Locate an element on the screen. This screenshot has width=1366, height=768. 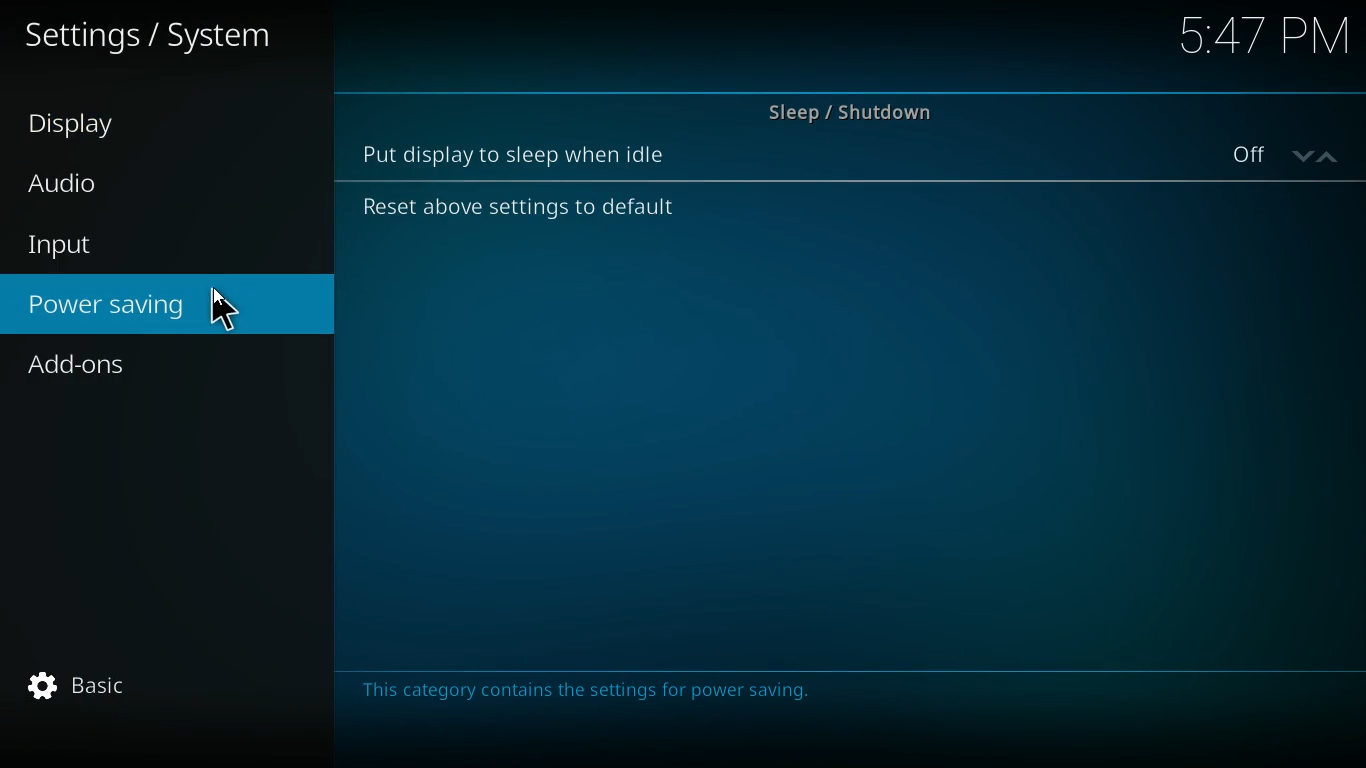
power saving is located at coordinates (166, 308).